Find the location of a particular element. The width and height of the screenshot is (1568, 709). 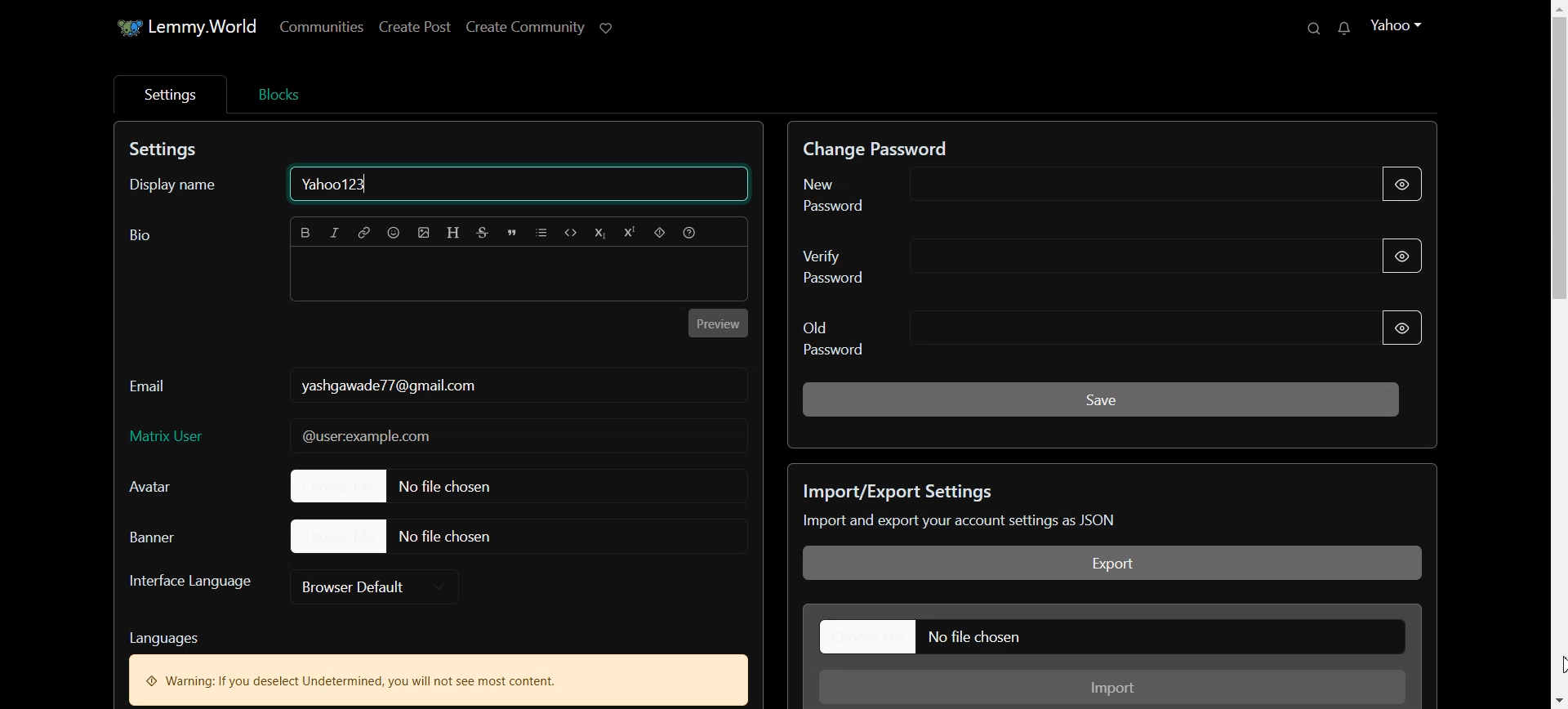

Email is located at coordinates (150, 381).